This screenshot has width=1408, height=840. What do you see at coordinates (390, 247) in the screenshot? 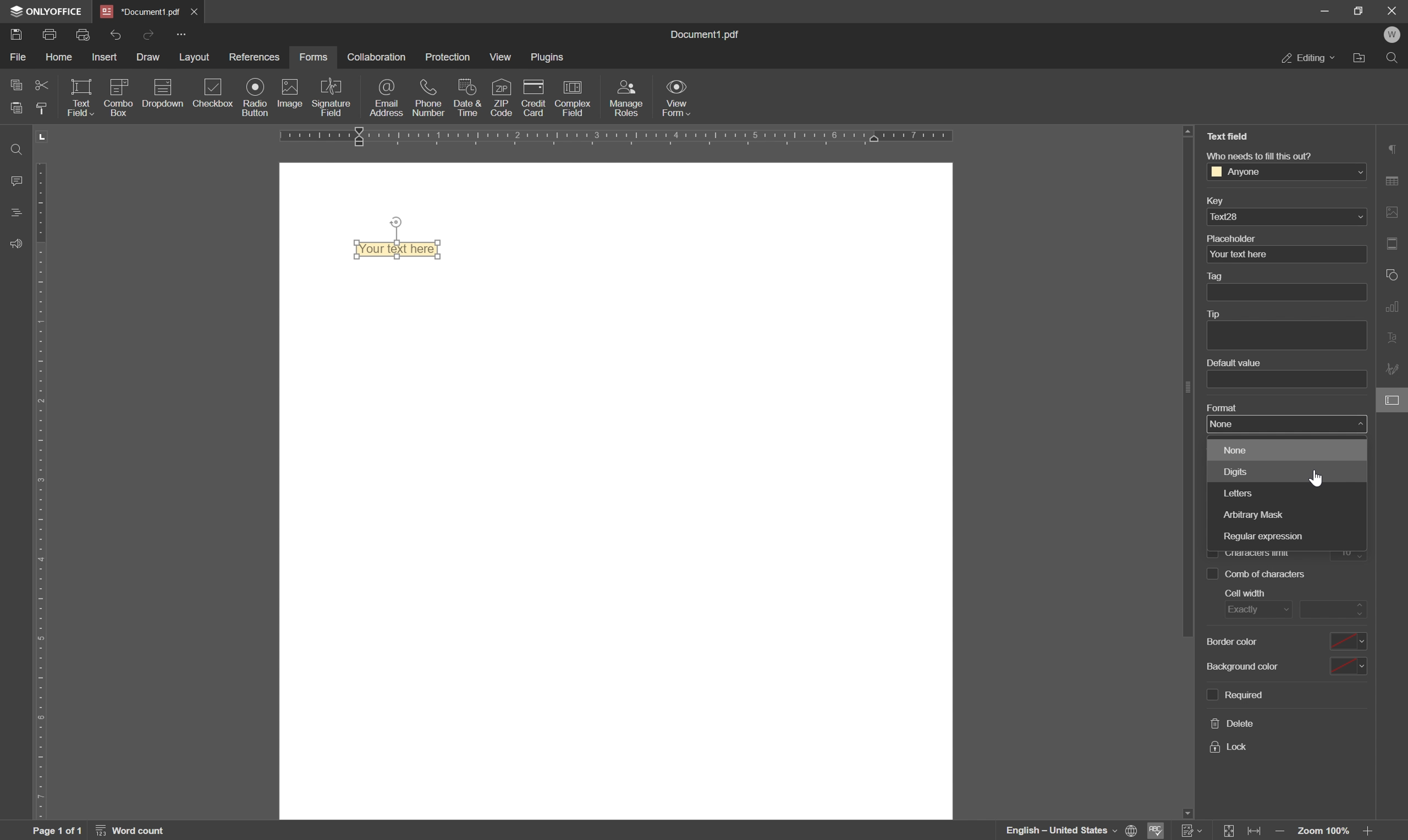
I see `your text here` at bounding box center [390, 247].